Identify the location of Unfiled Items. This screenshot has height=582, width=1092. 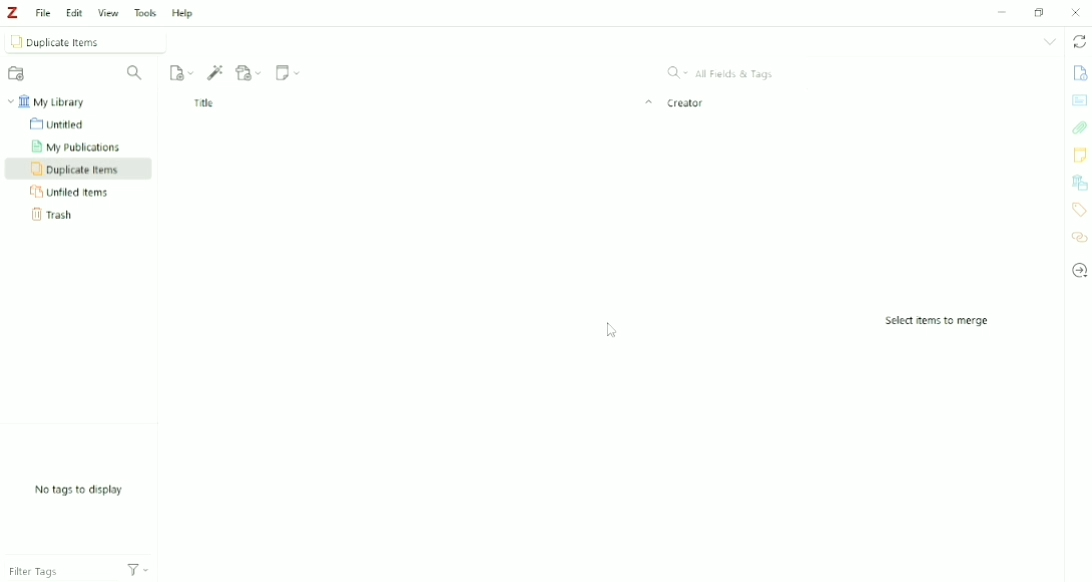
(77, 192).